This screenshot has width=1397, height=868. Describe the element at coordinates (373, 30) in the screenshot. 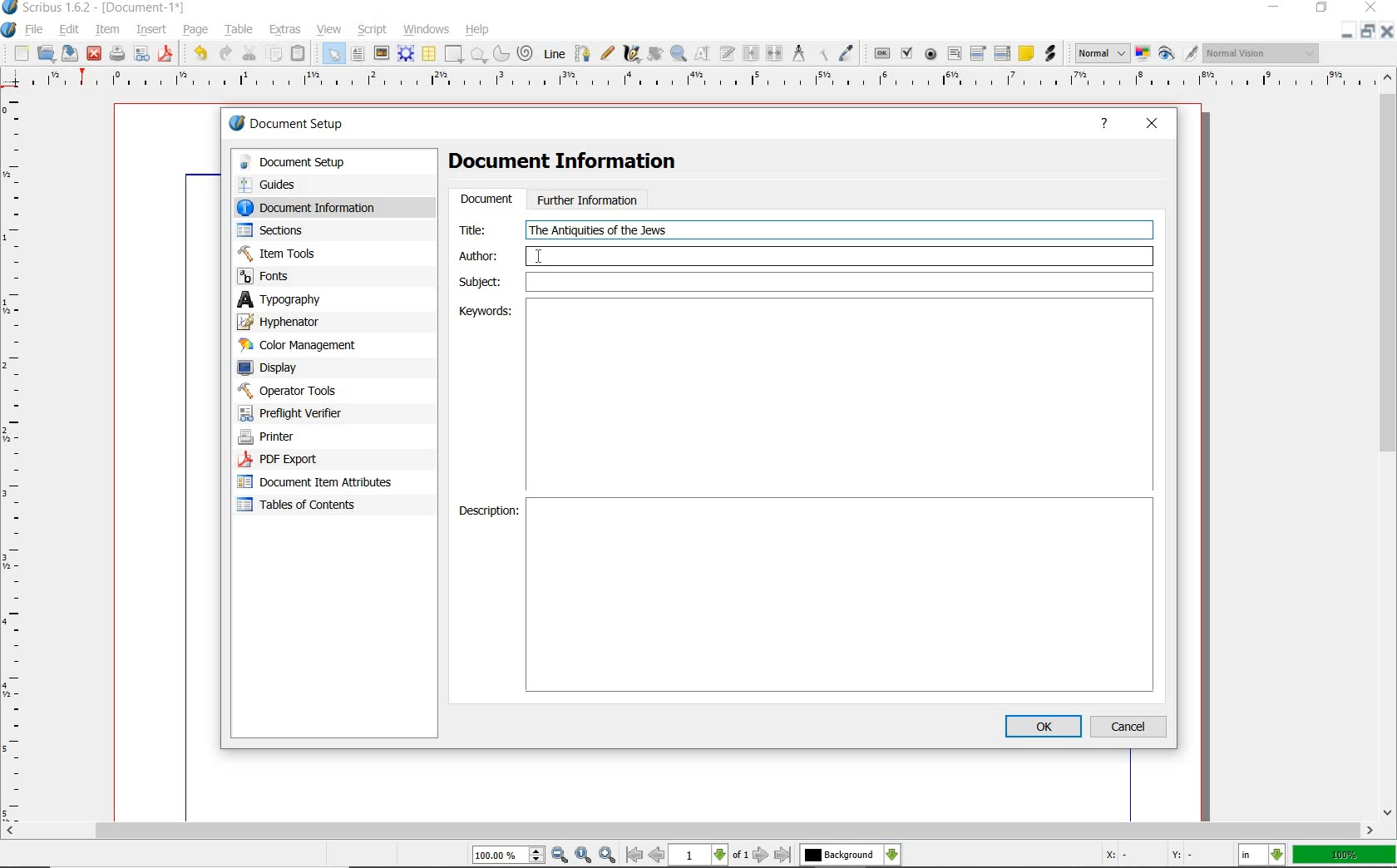

I see `script` at that location.